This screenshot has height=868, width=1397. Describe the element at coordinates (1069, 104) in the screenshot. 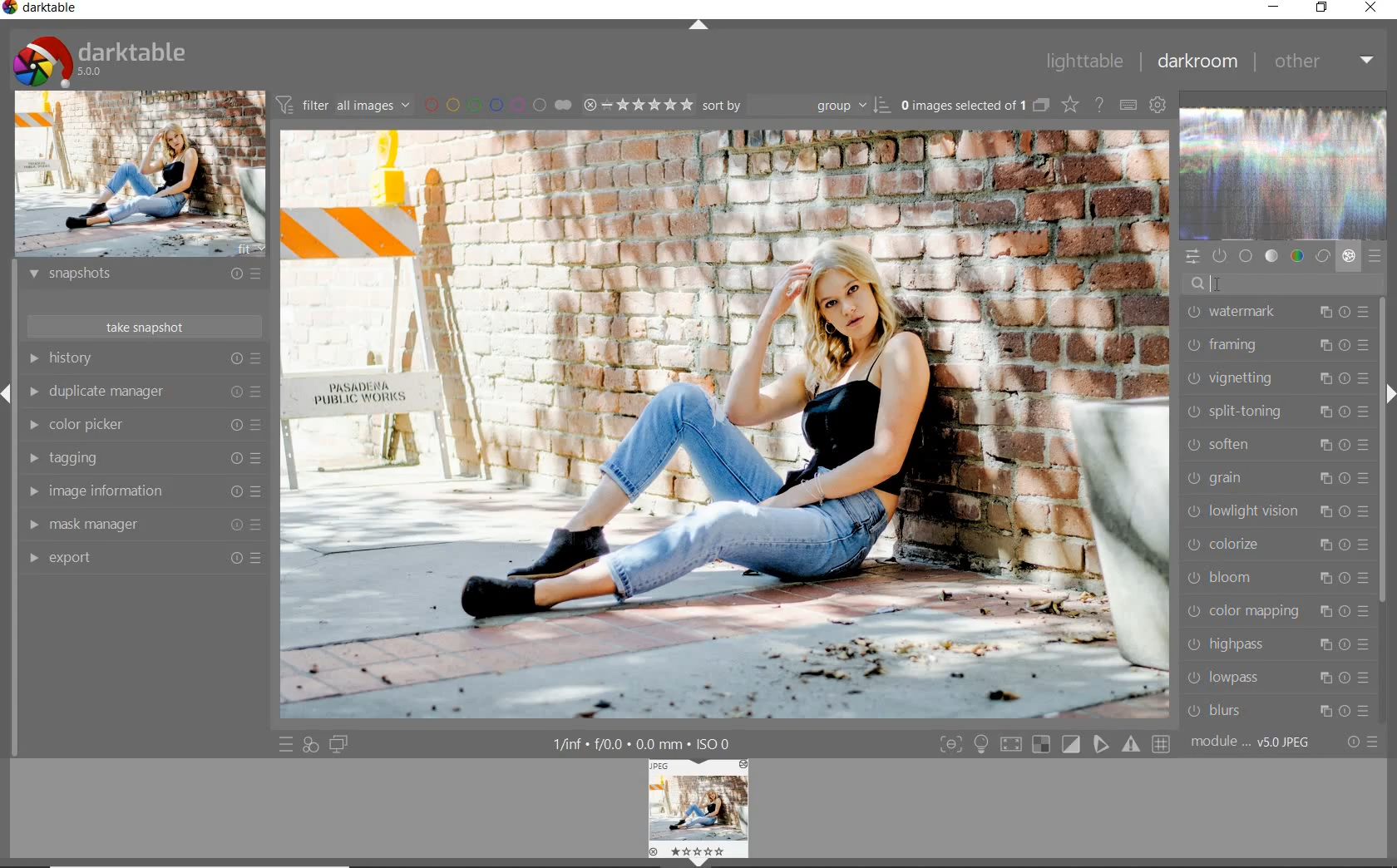

I see `change overlays shown on thumbnails` at that location.